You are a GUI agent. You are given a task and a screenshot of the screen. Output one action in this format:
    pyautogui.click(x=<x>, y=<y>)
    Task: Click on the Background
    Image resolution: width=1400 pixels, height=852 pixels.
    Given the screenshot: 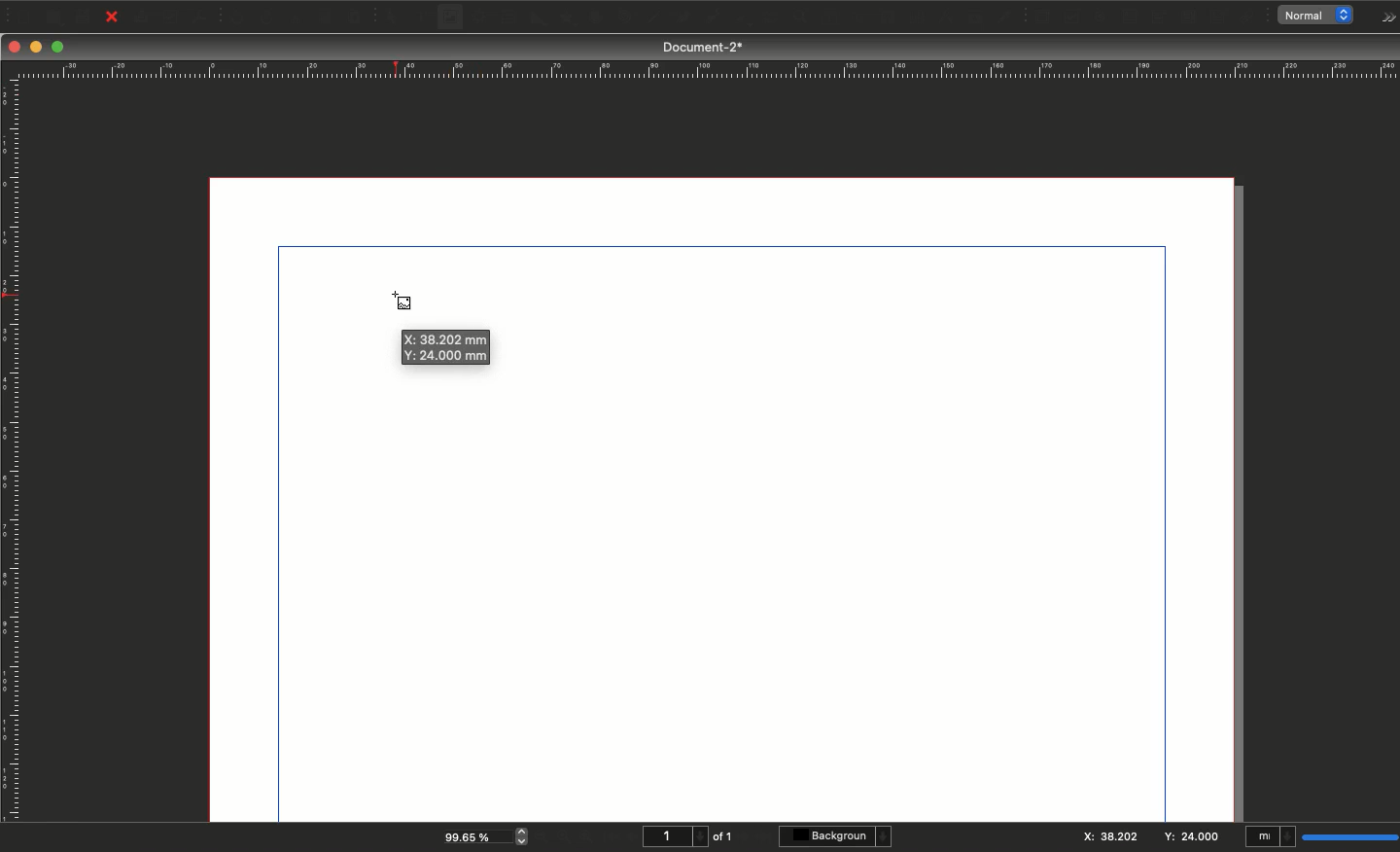 What is the action you would take?
    pyautogui.click(x=838, y=836)
    